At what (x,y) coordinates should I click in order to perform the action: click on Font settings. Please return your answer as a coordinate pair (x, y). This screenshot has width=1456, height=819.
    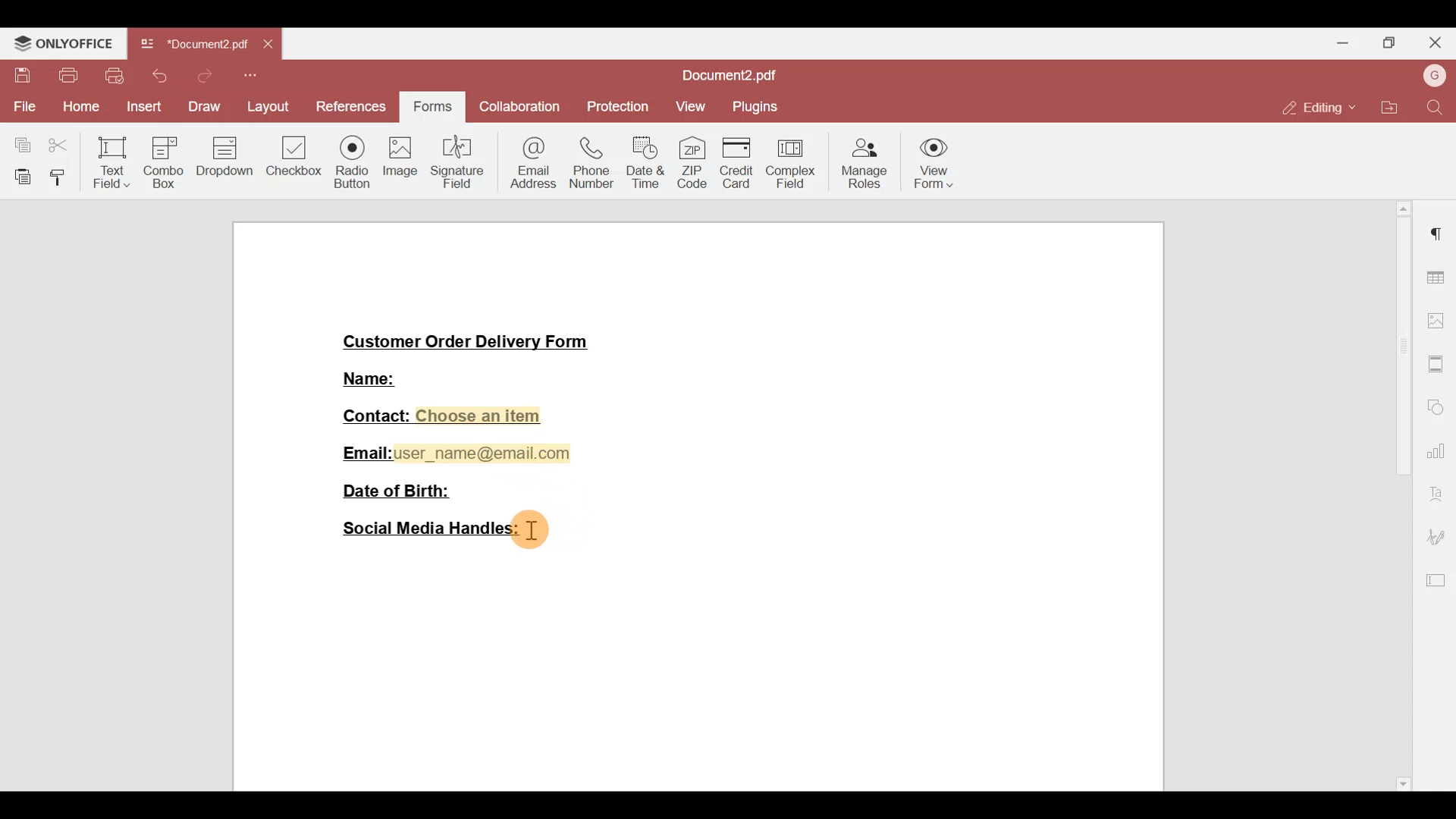
    Looking at the image, I should click on (1442, 493).